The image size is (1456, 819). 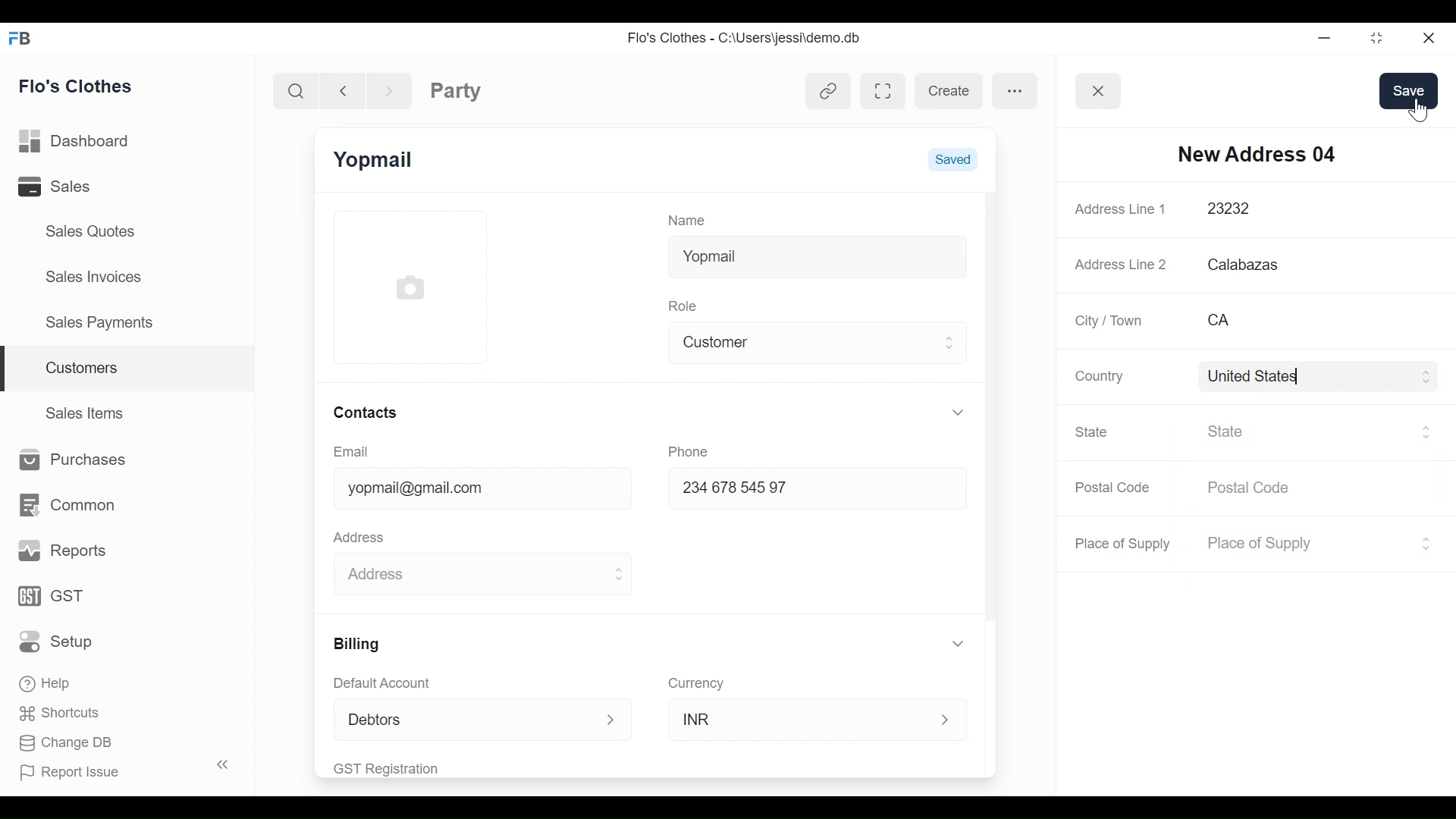 I want to click on Postal Code, so click(x=1258, y=488).